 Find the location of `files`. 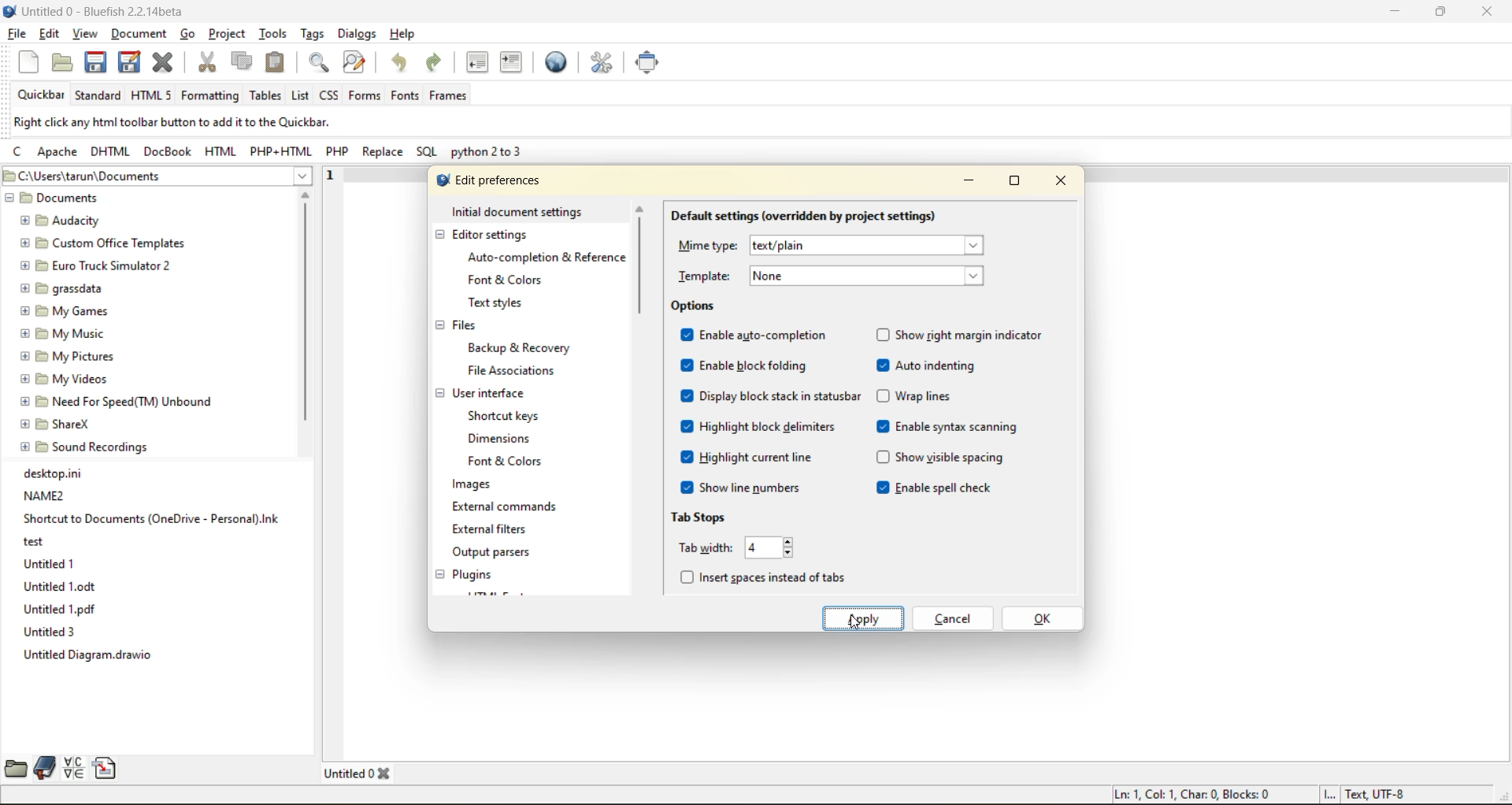

files is located at coordinates (466, 328).